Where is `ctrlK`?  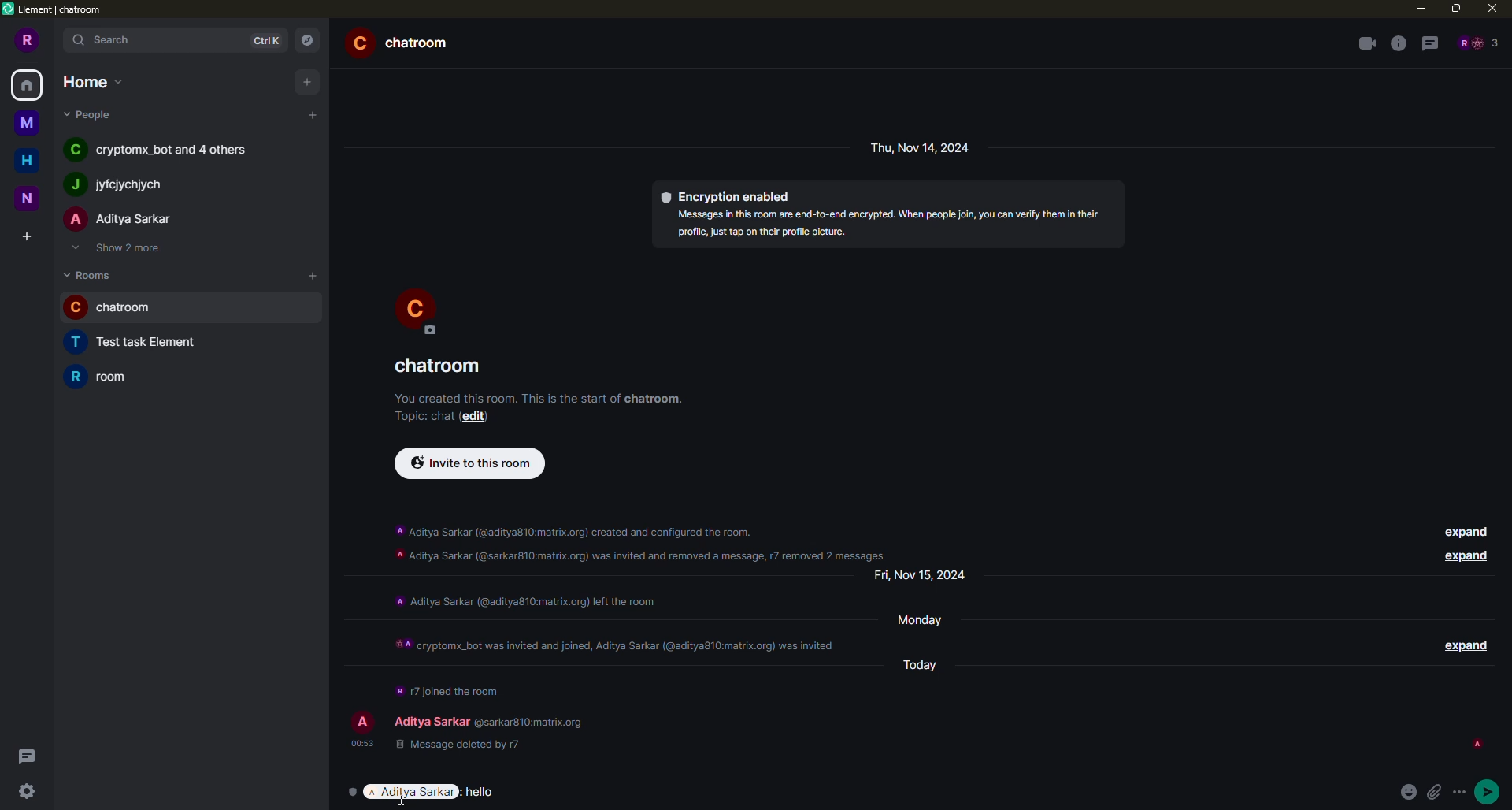 ctrlK is located at coordinates (263, 40).